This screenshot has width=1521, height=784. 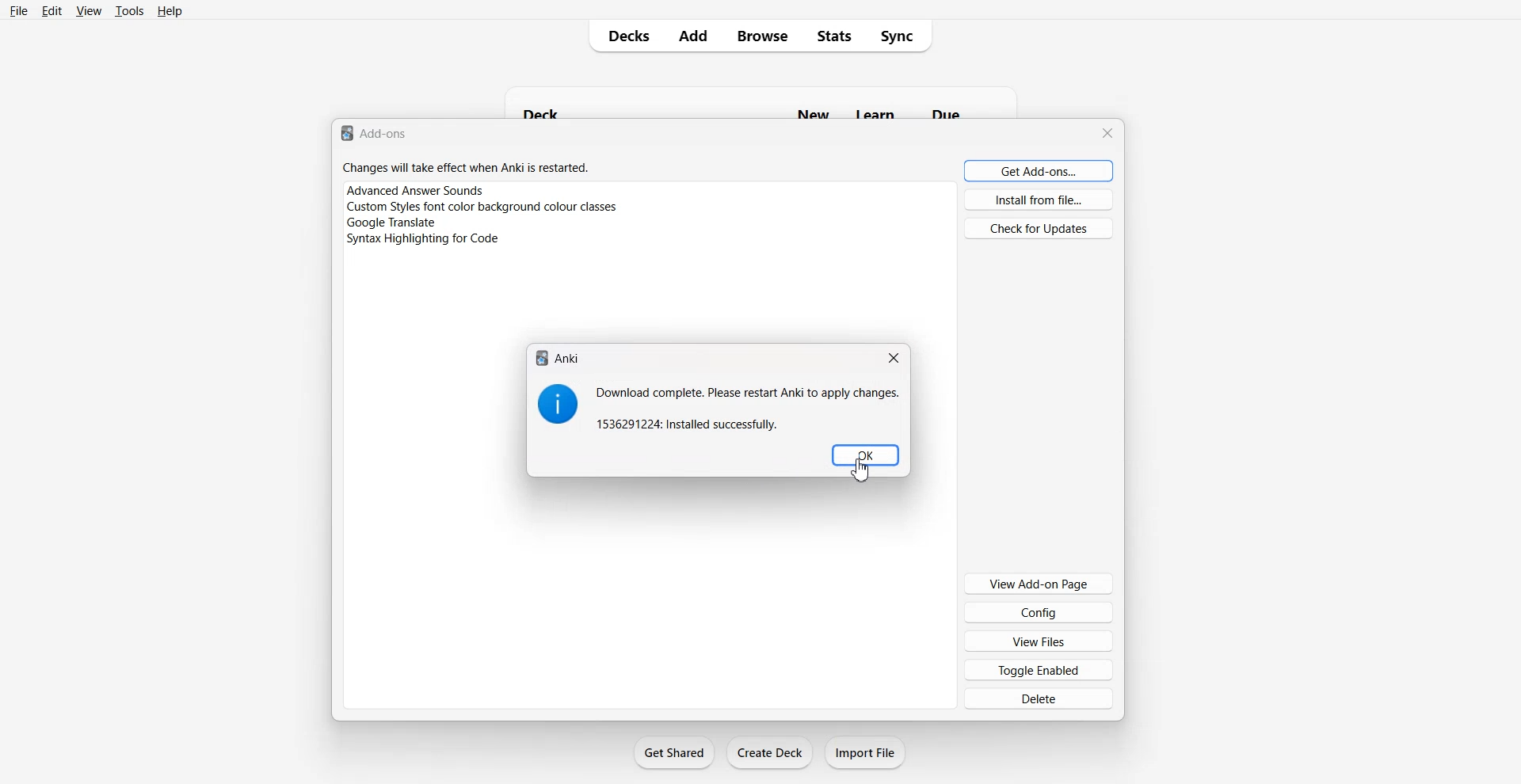 I want to click on Edit, so click(x=51, y=10).